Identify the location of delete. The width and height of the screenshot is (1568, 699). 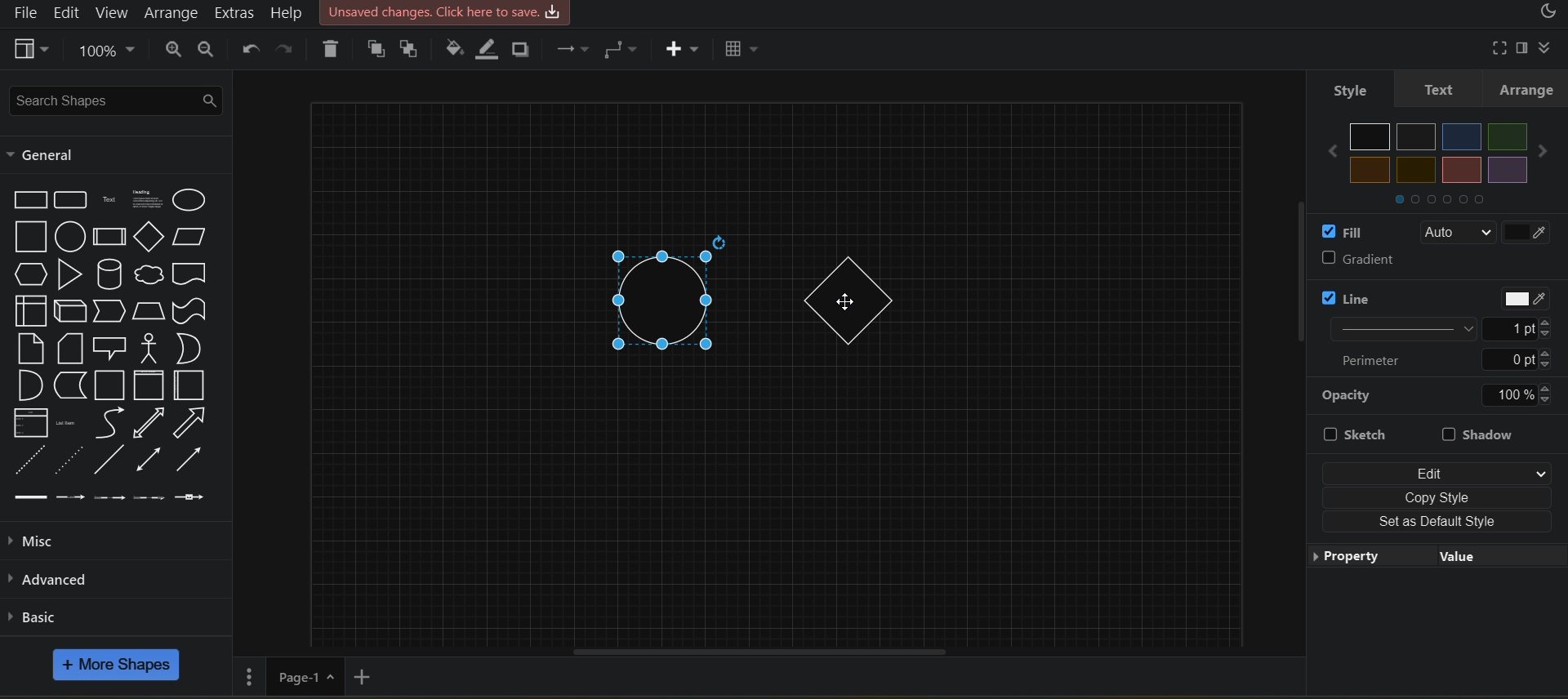
(332, 50).